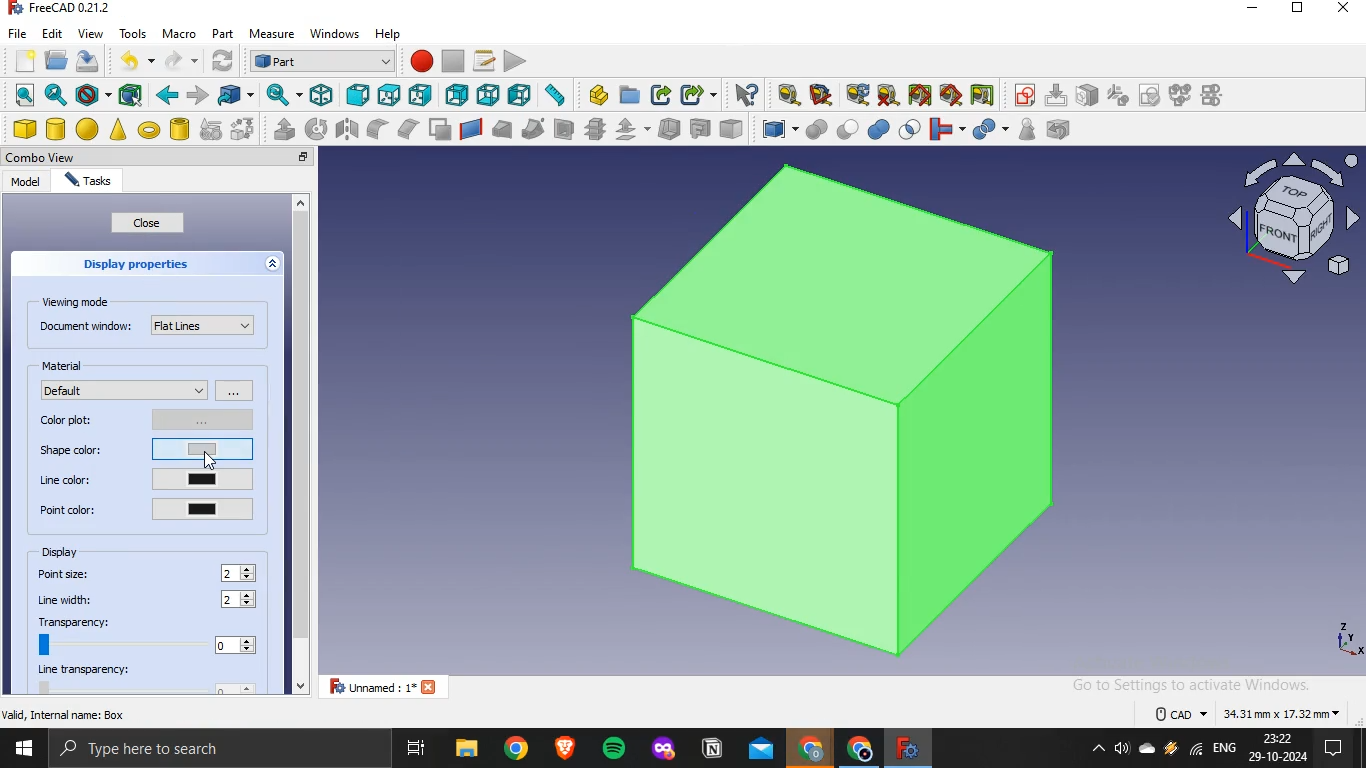 This screenshot has height=768, width=1366. I want to click on make link, so click(662, 95).